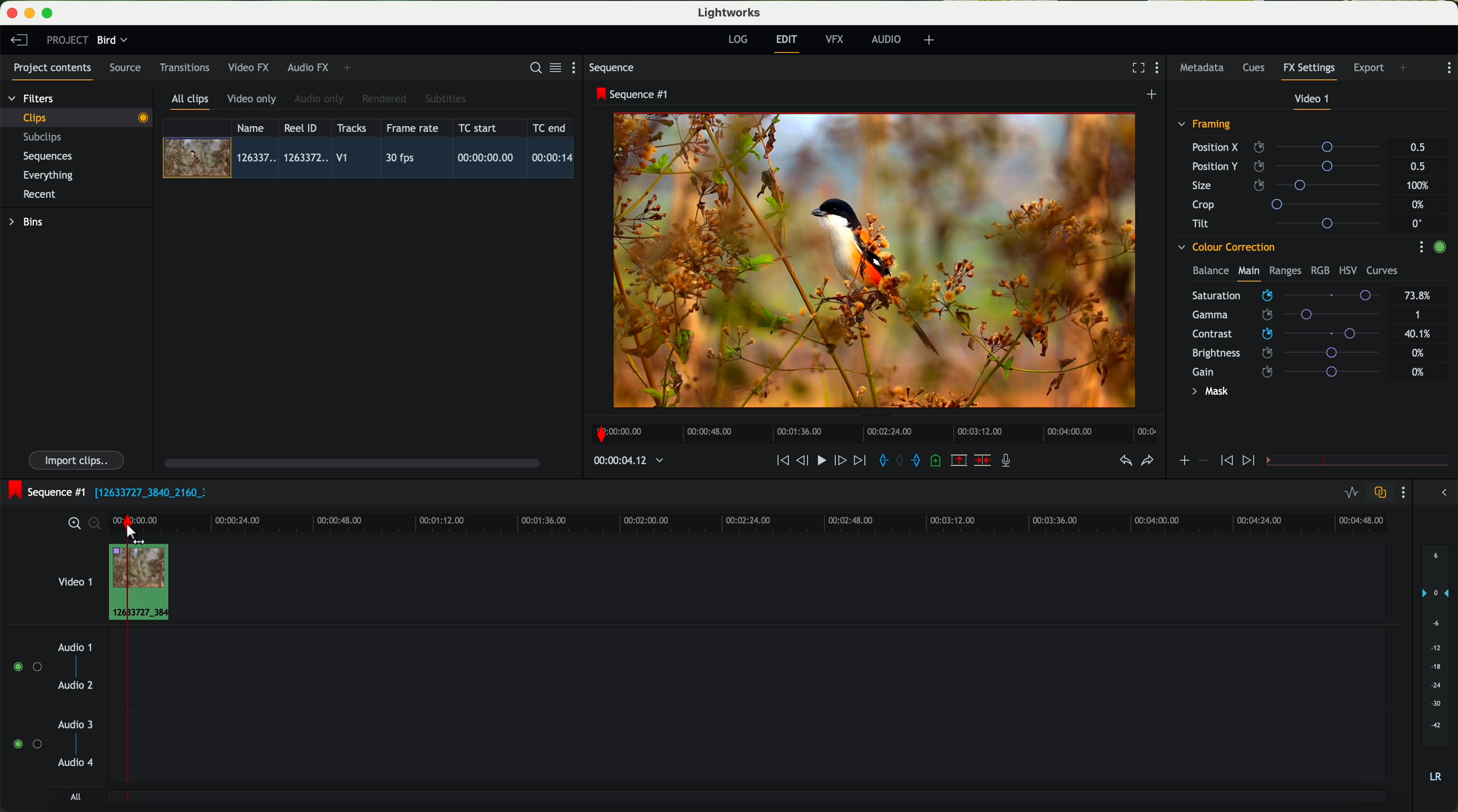 The width and height of the screenshot is (1458, 812). I want to click on nudge one frame back, so click(804, 462).